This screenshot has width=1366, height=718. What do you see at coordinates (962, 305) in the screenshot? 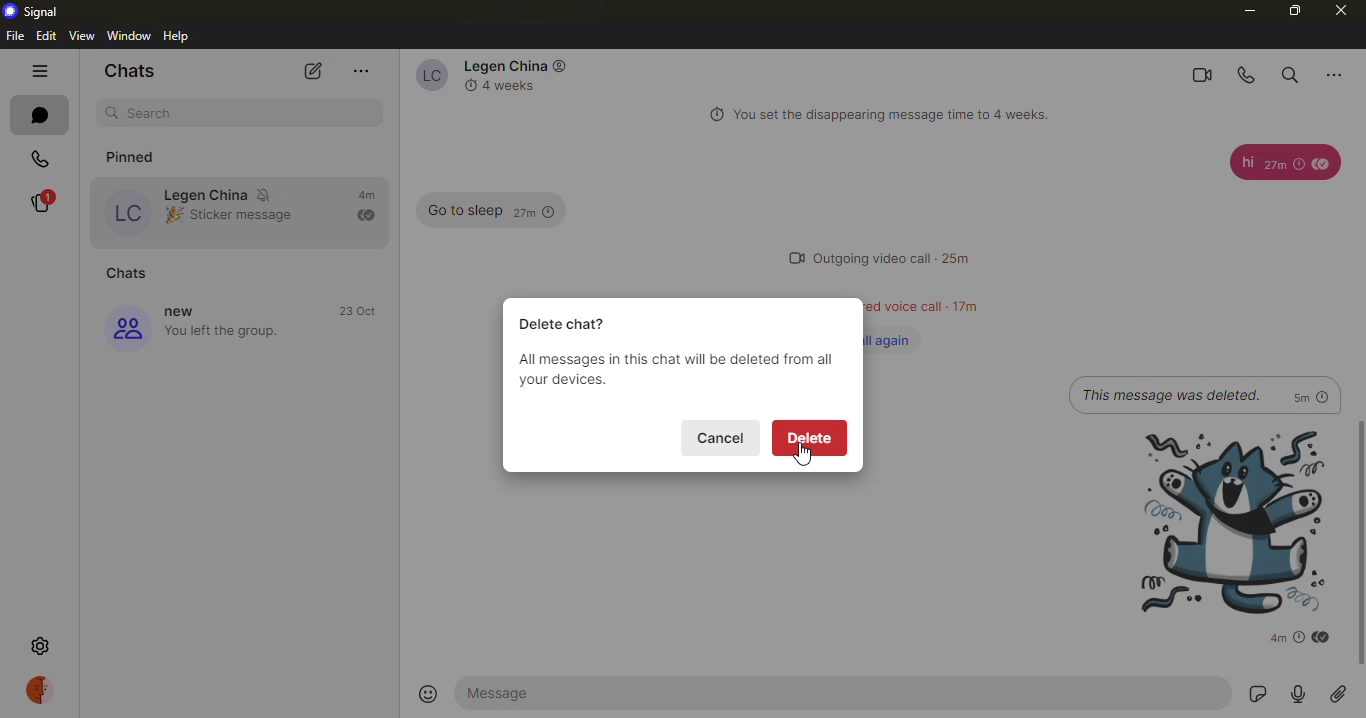
I see `time` at bounding box center [962, 305].